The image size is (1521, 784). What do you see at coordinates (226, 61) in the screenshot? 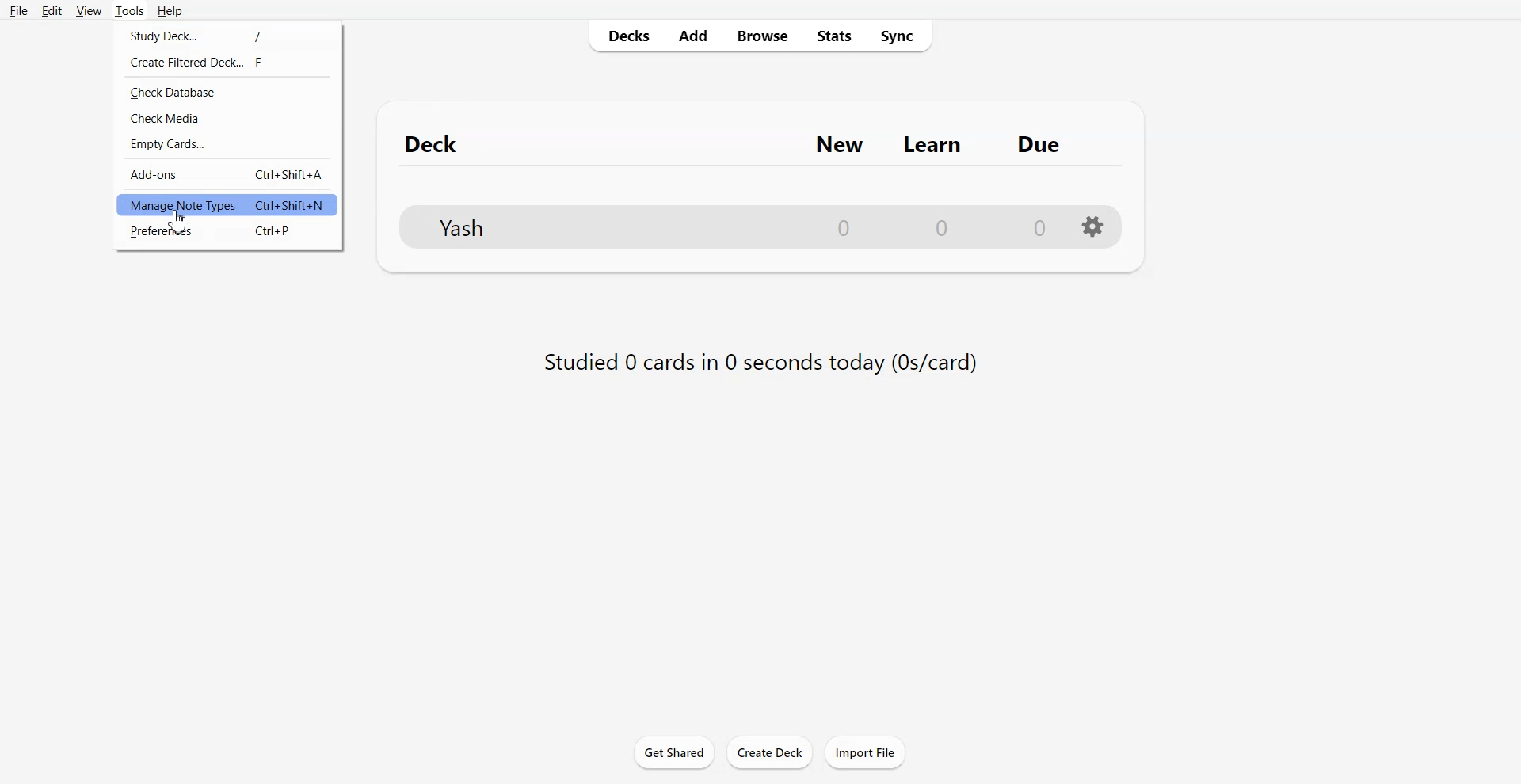
I see `Create Filtered Deck` at bounding box center [226, 61].